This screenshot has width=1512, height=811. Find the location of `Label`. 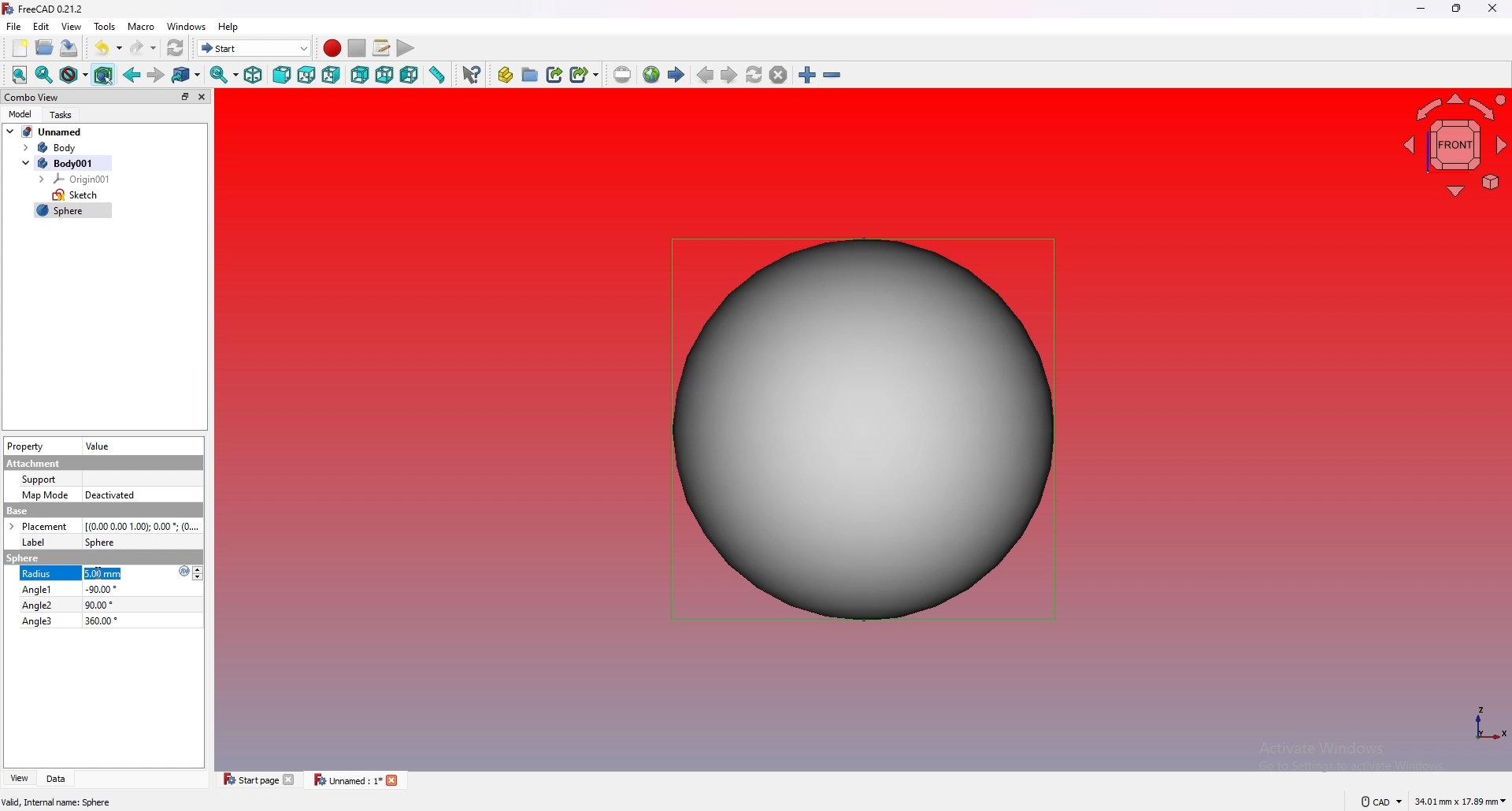

Label is located at coordinates (35, 543).